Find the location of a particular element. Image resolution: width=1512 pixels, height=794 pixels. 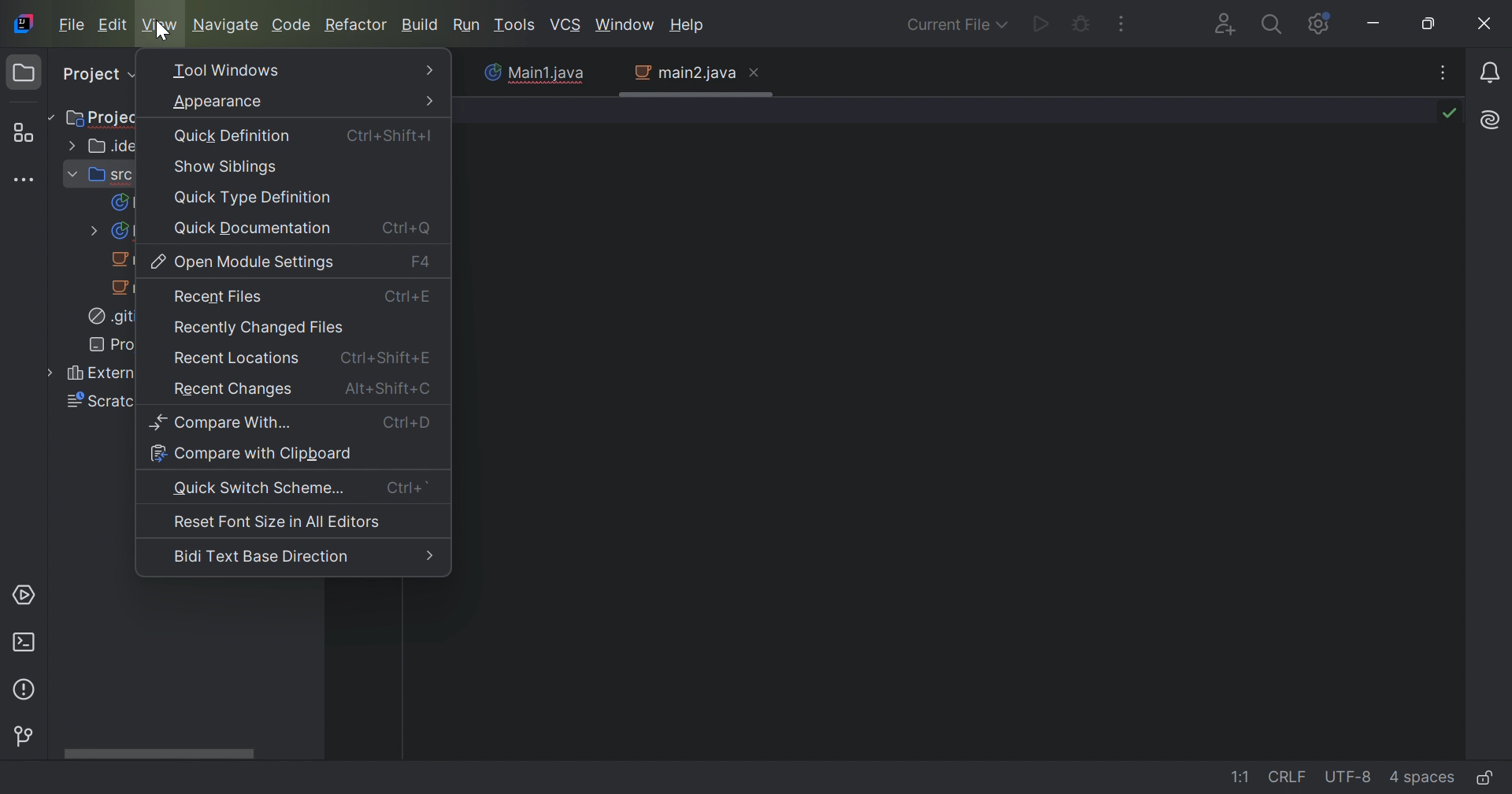

Ctrl+D is located at coordinates (407, 423).